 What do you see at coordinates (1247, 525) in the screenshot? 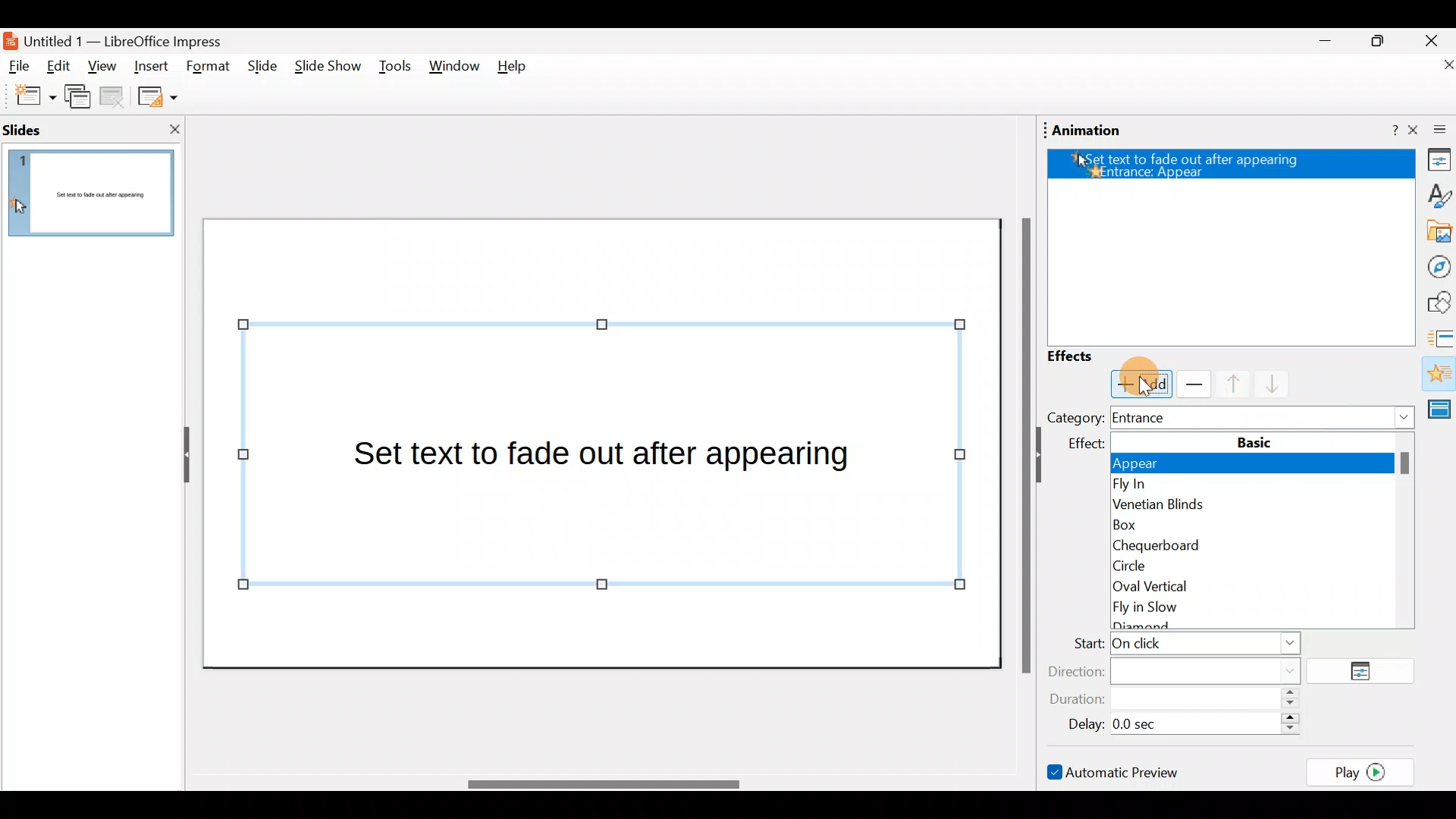
I see `Box` at bounding box center [1247, 525].